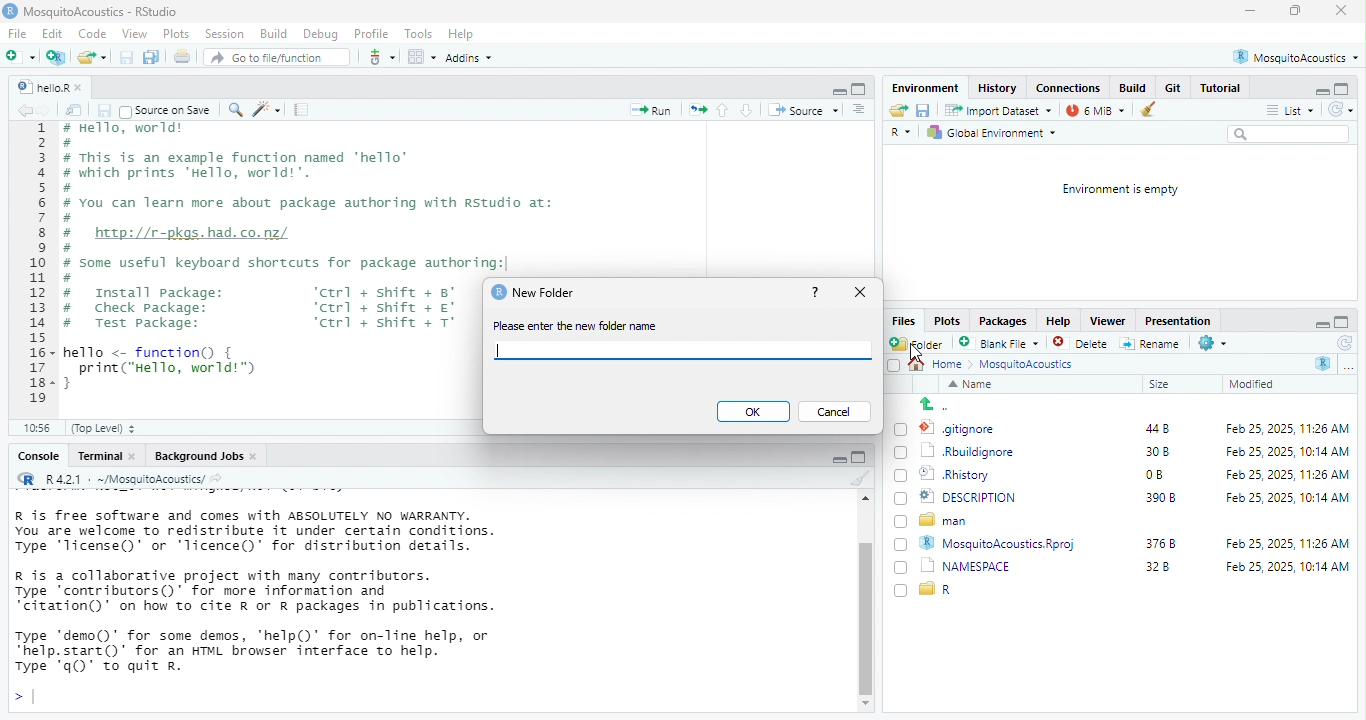  I want to click on open an existing file, so click(93, 57).